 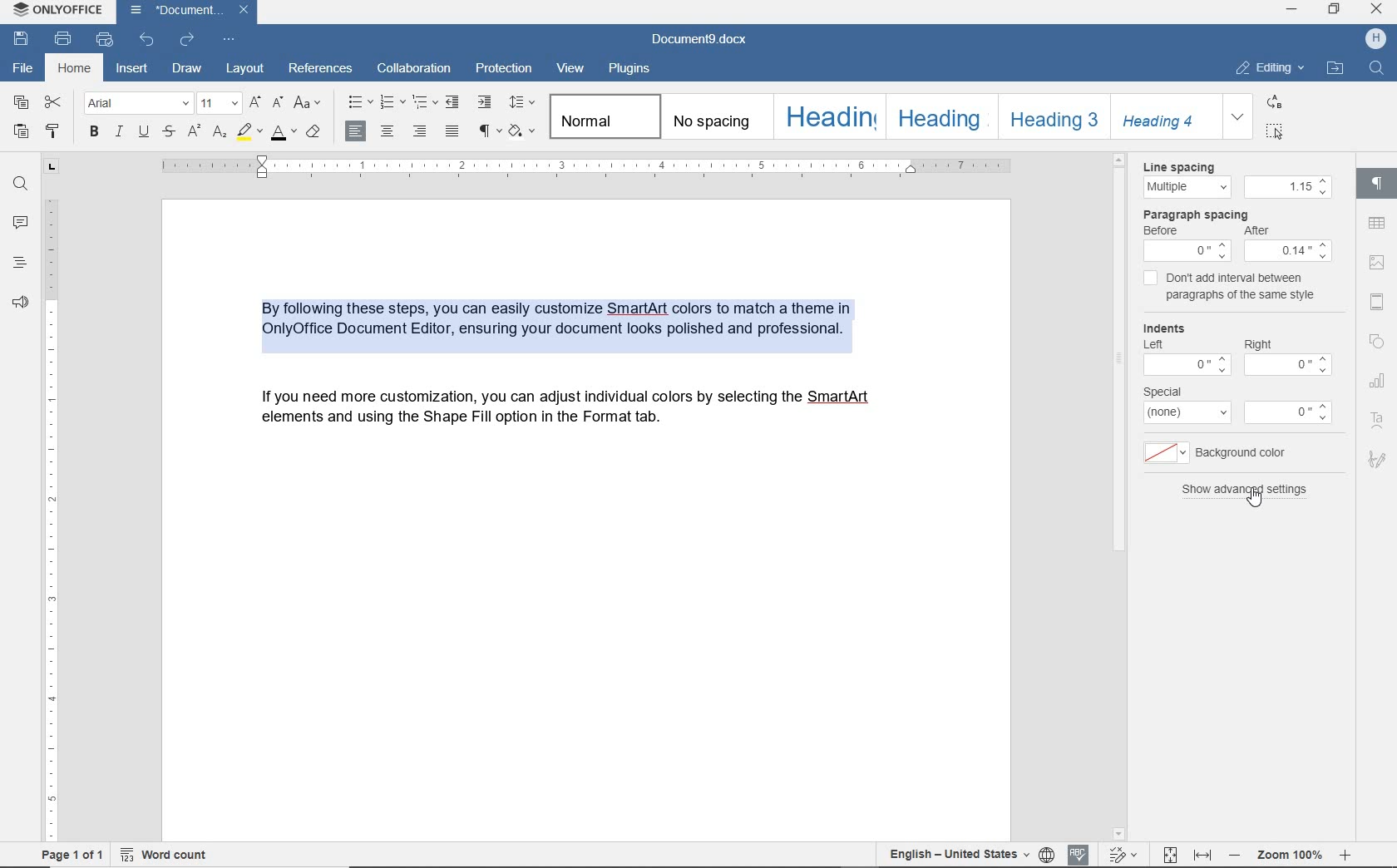 I want to click on scroll down, so click(x=1123, y=834).